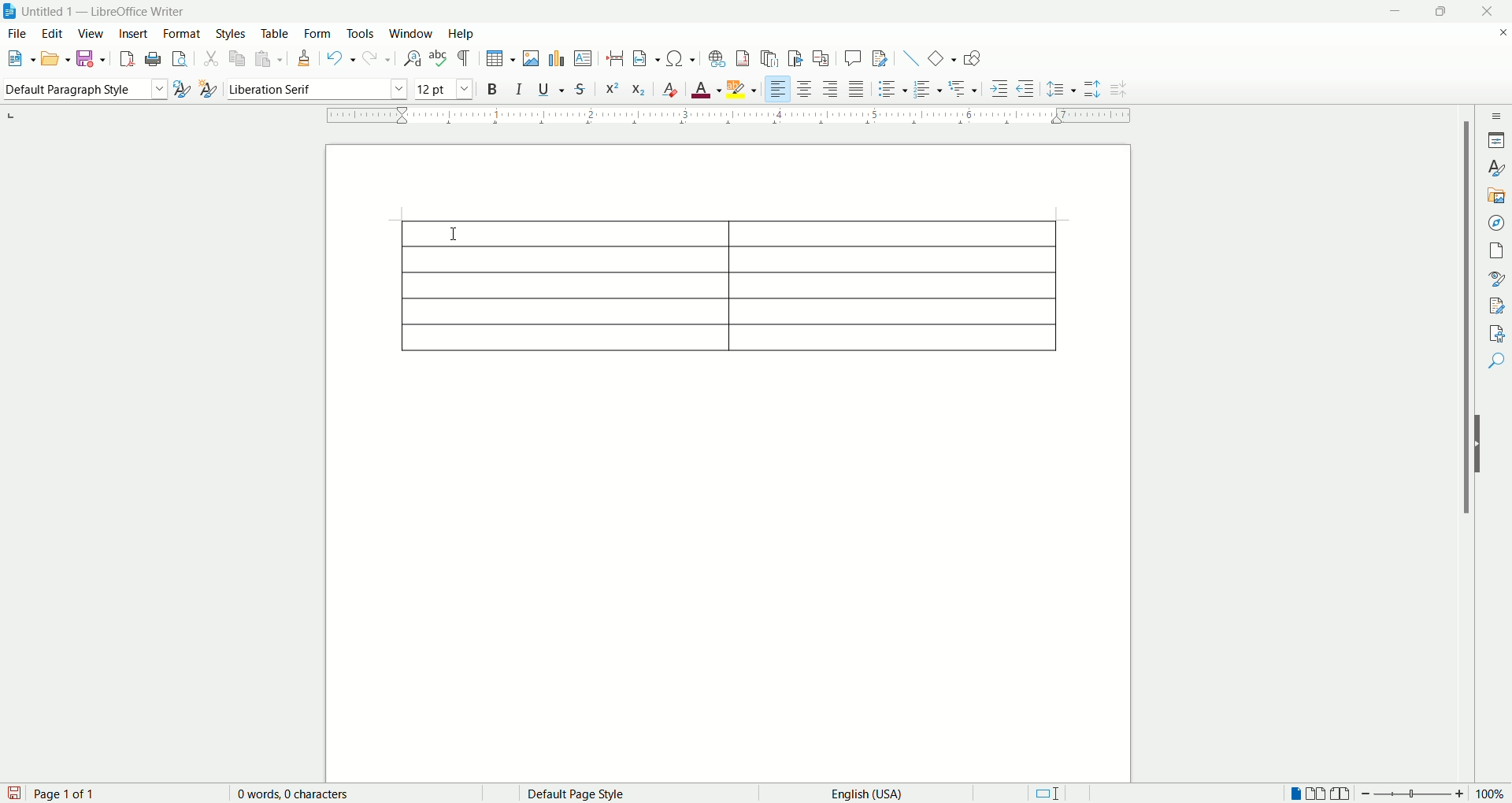 The height and width of the screenshot is (803, 1512). What do you see at coordinates (14, 794) in the screenshot?
I see `save` at bounding box center [14, 794].